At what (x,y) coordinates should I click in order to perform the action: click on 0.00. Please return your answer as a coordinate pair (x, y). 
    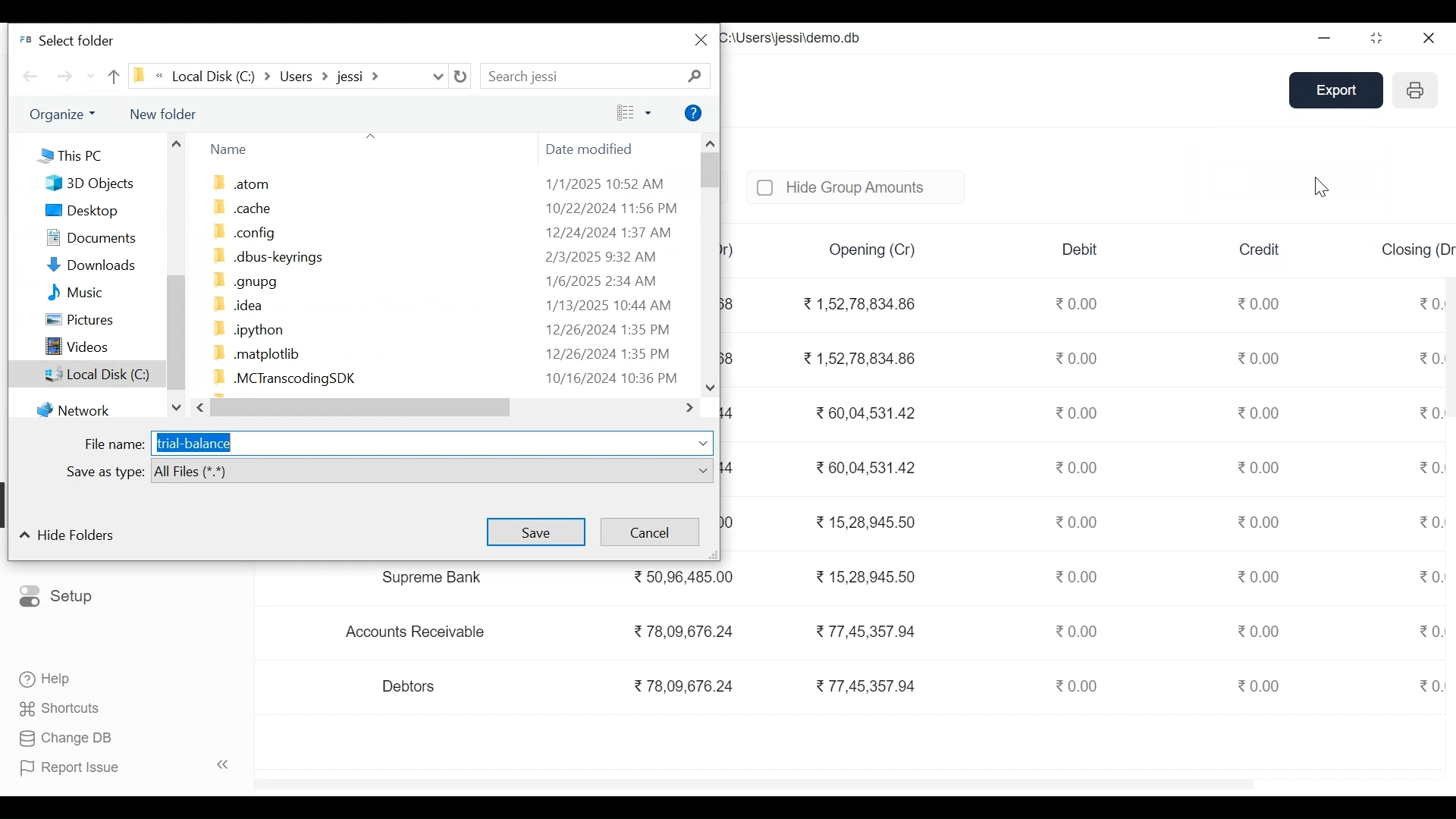
    Looking at the image, I should click on (1075, 685).